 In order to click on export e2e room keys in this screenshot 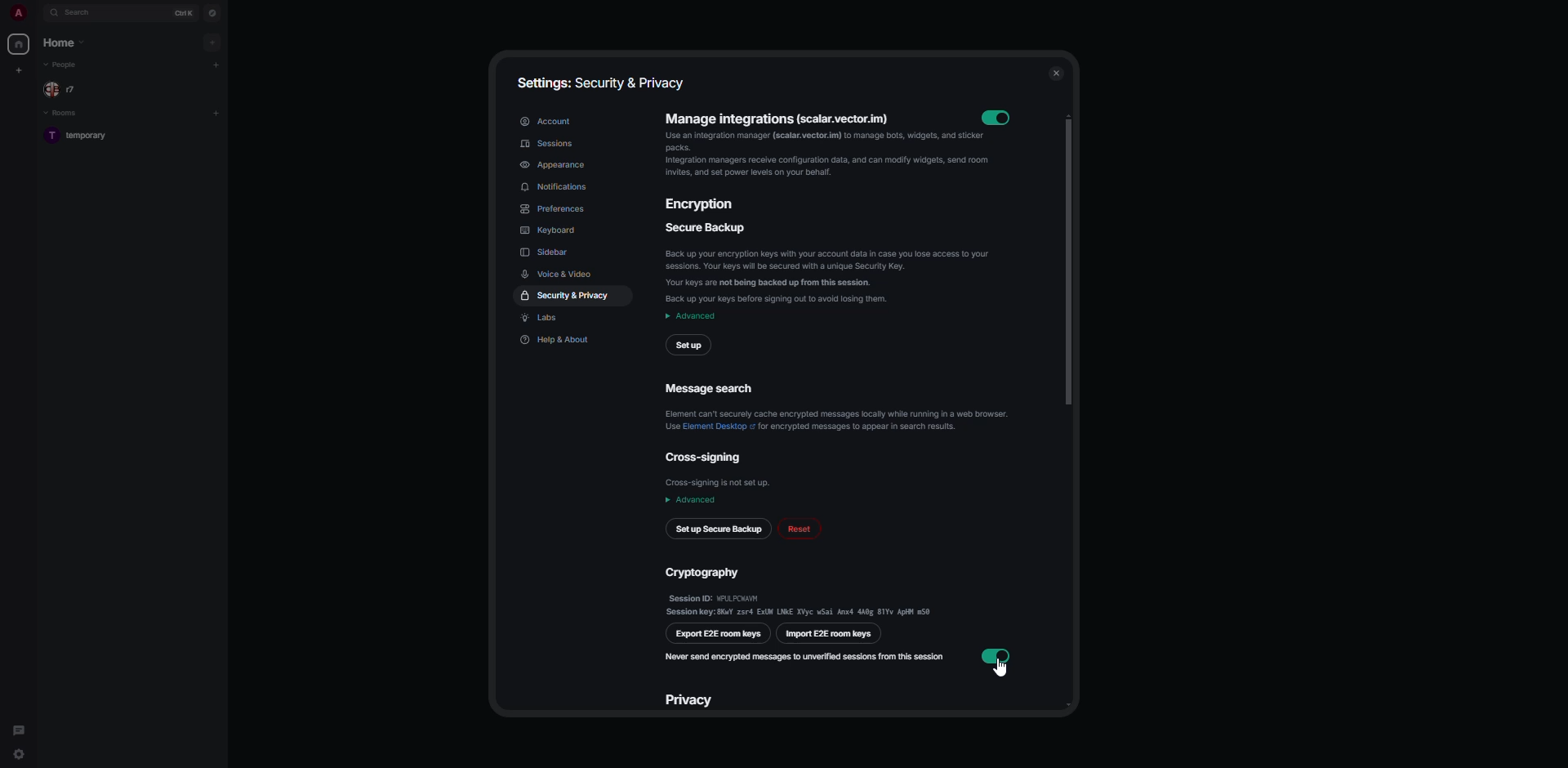, I will do `click(719, 633)`.